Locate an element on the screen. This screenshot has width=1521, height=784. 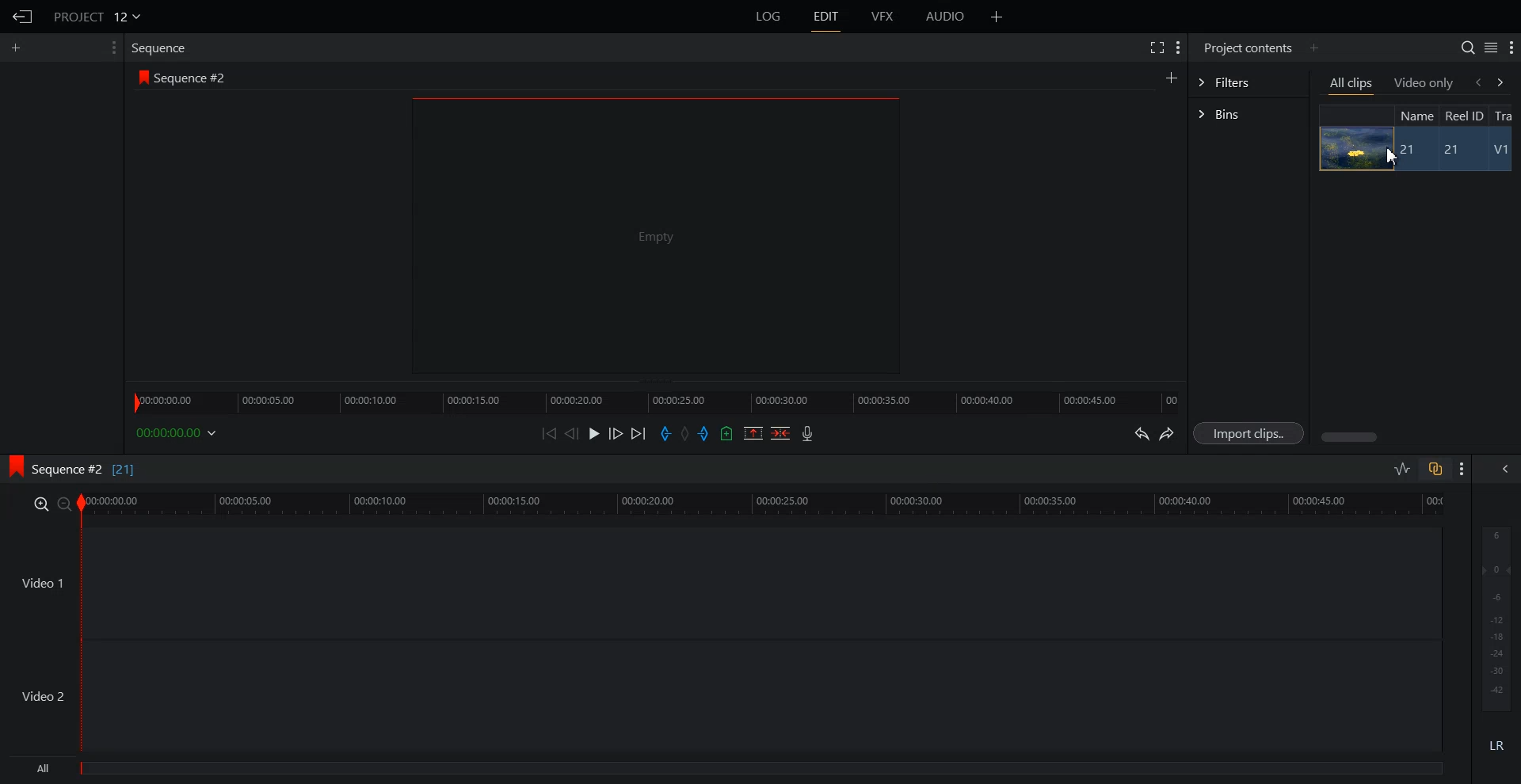
Add panel is located at coordinates (997, 17).